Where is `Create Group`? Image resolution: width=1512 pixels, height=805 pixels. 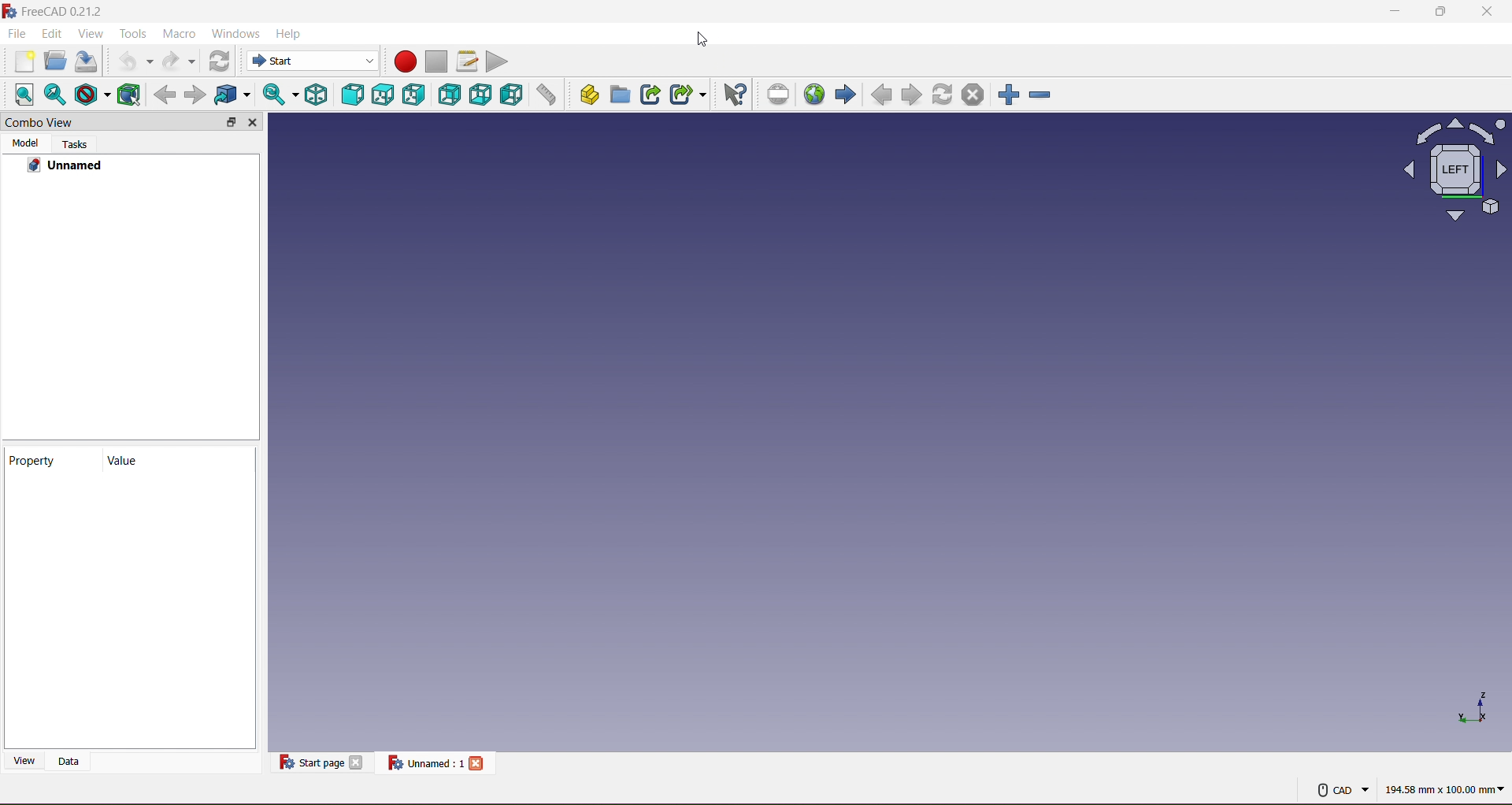
Create Group is located at coordinates (620, 94).